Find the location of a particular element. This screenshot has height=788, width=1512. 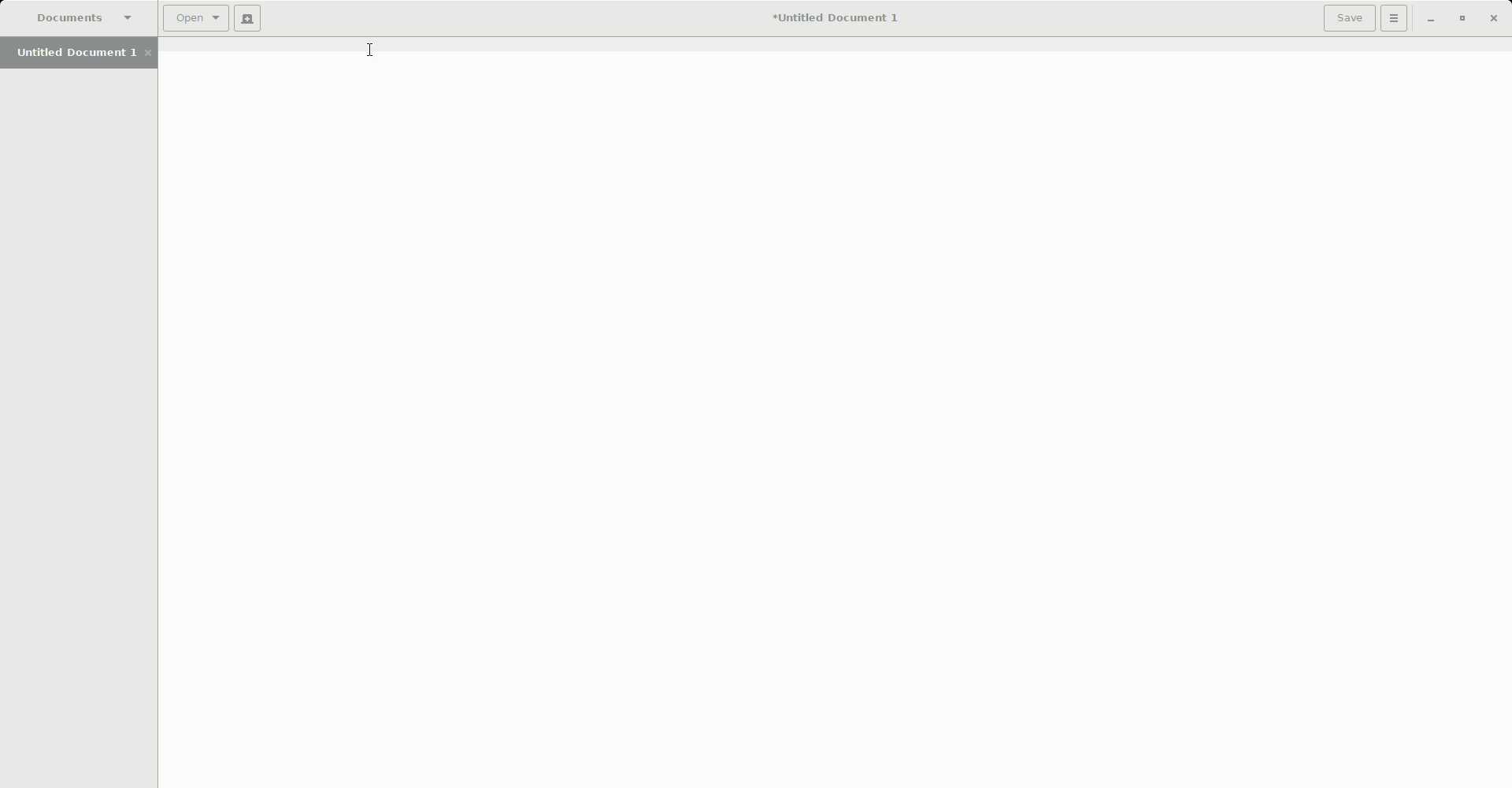

Restore is located at coordinates (1460, 18).